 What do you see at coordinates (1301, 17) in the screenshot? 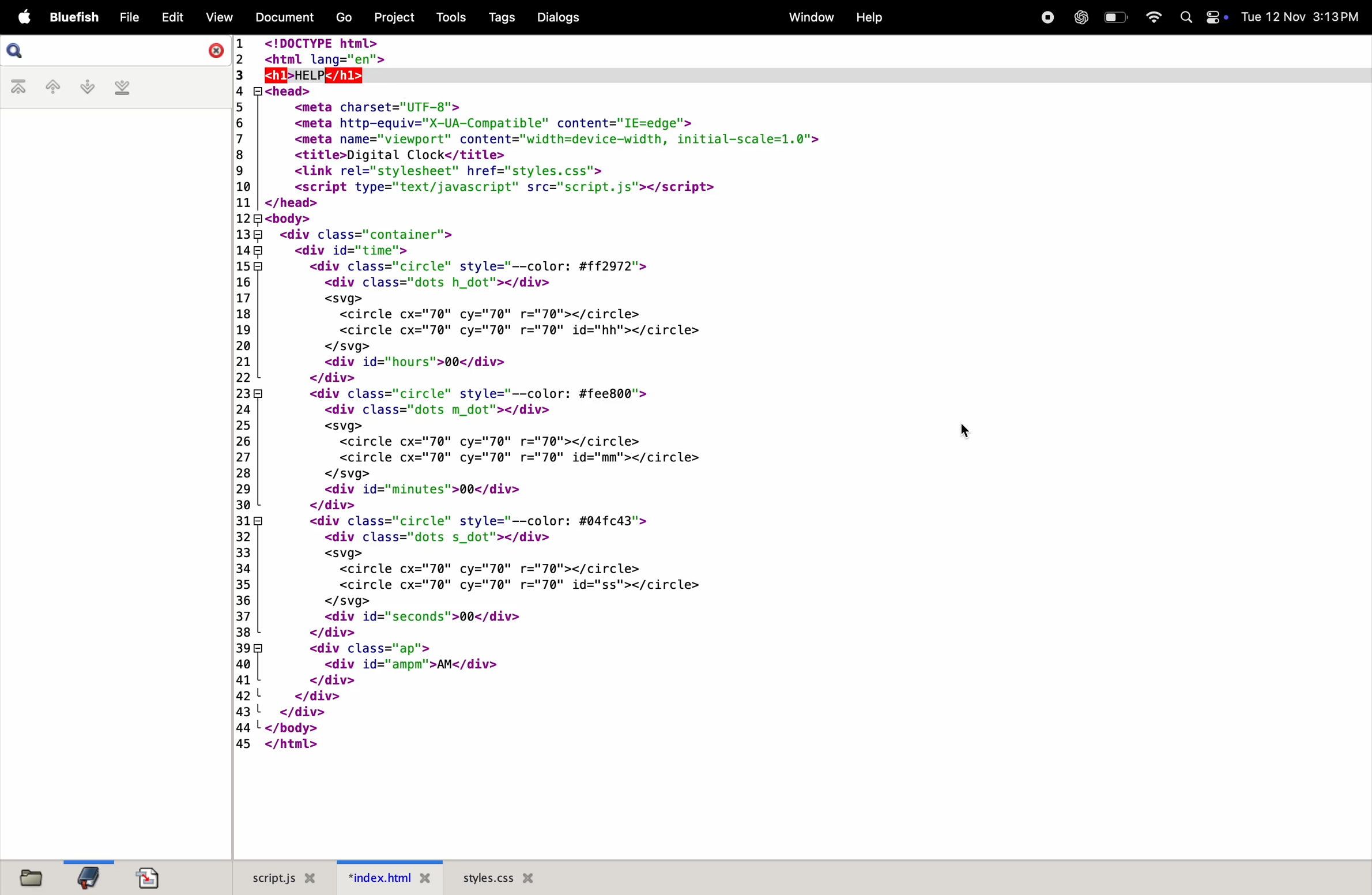
I see `tue 12 nov 3:13 pm` at bounding box center [1301, 17].